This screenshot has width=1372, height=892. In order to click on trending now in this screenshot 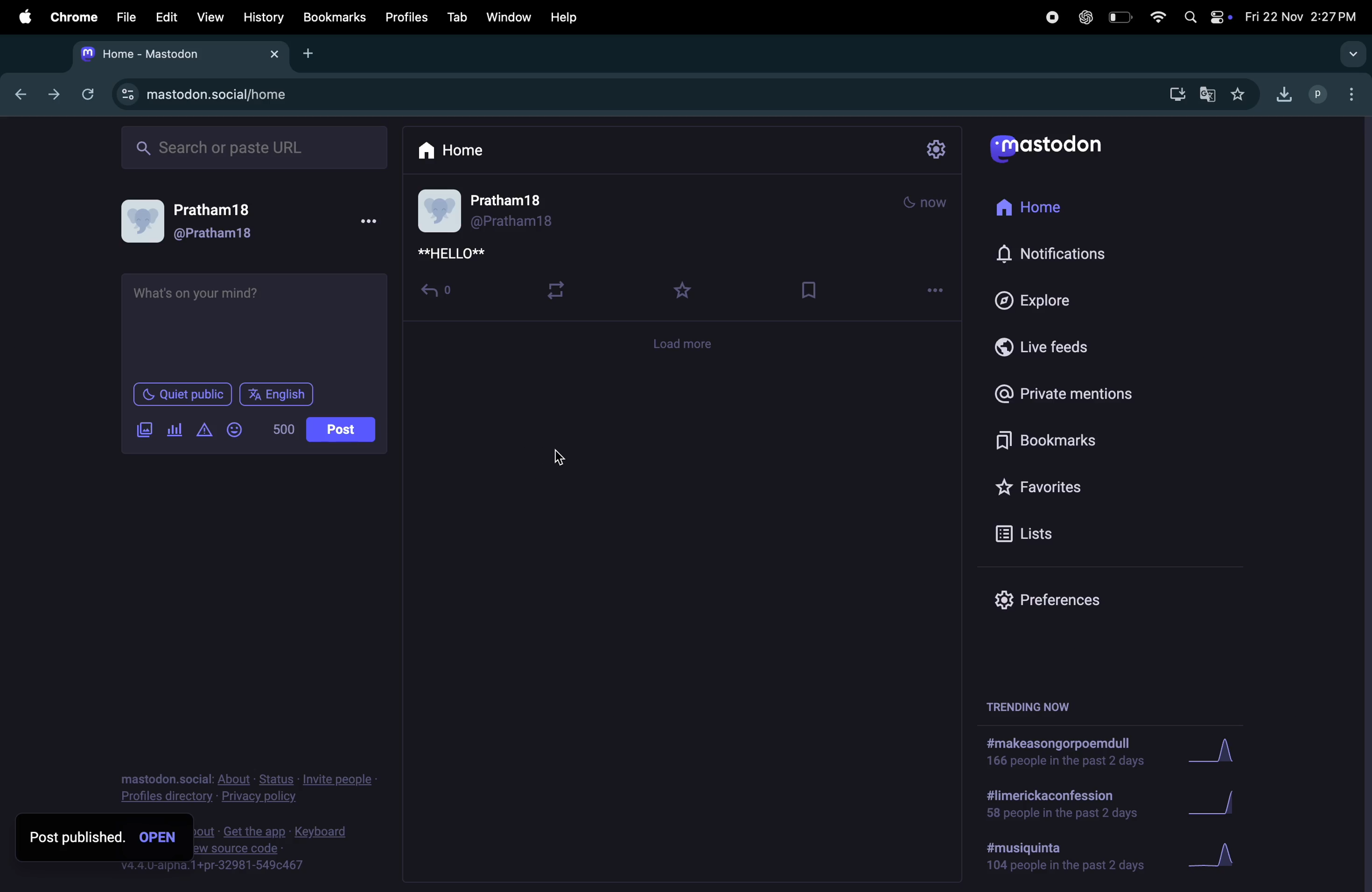, I will do `click(1041, 704)`.